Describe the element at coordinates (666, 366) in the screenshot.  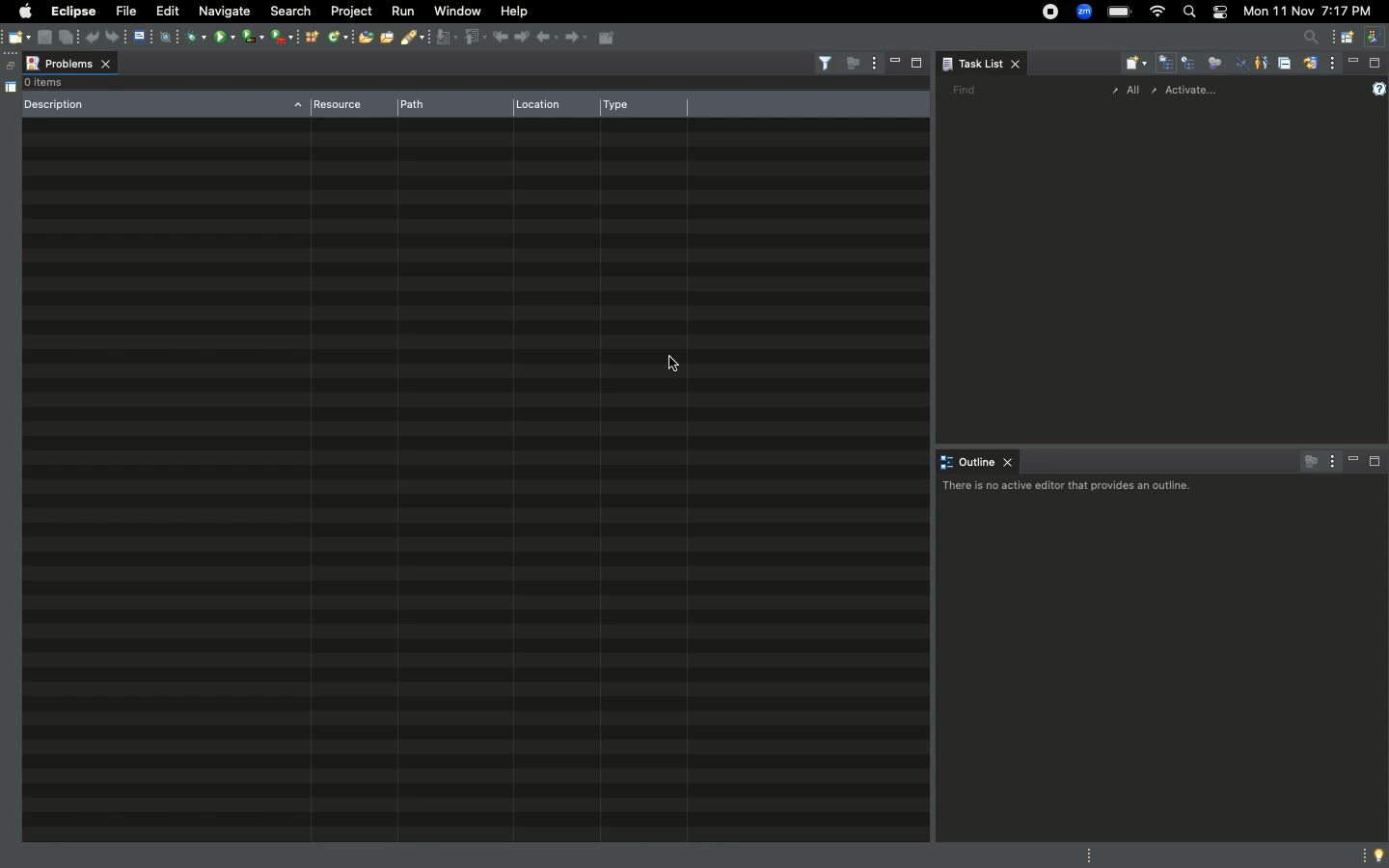
I see `cursor` at that location.